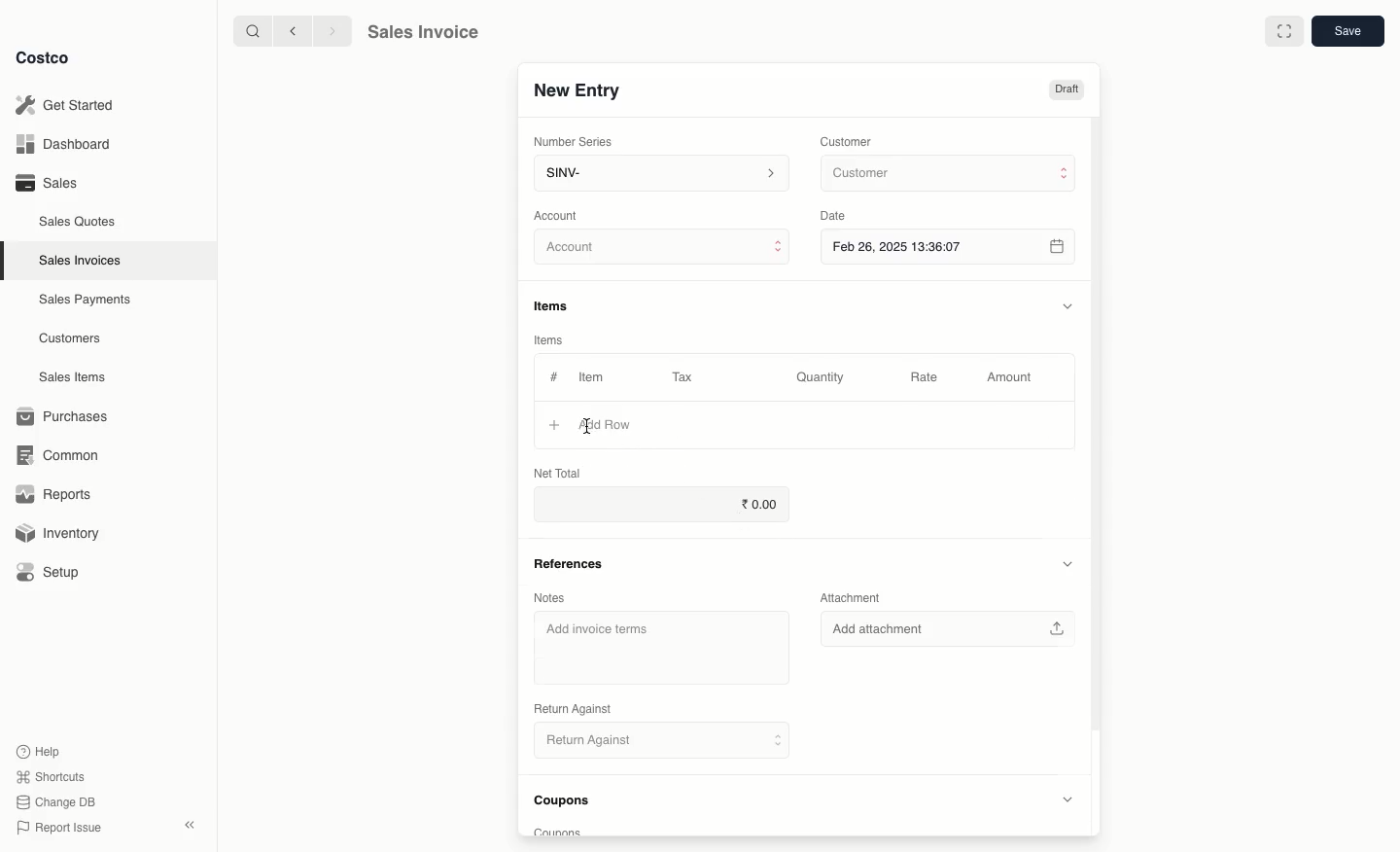  What do you see at coordinates (1067, 90) in the screenshot?
I see `Draft` at bounding box center [1067, 90].